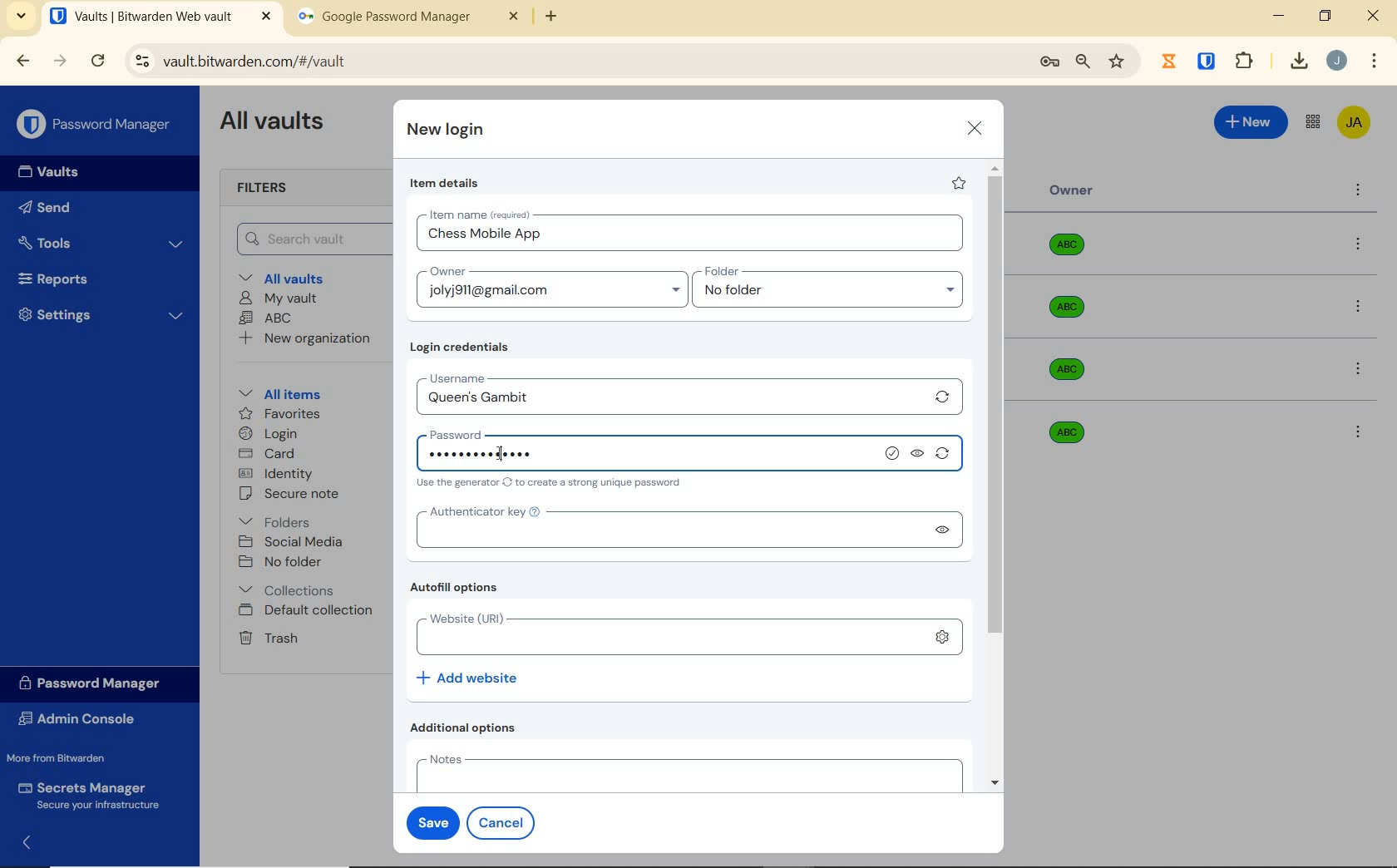 This screenshot has width=1397, height=868. I want to click on Trash, so click(265, 637).